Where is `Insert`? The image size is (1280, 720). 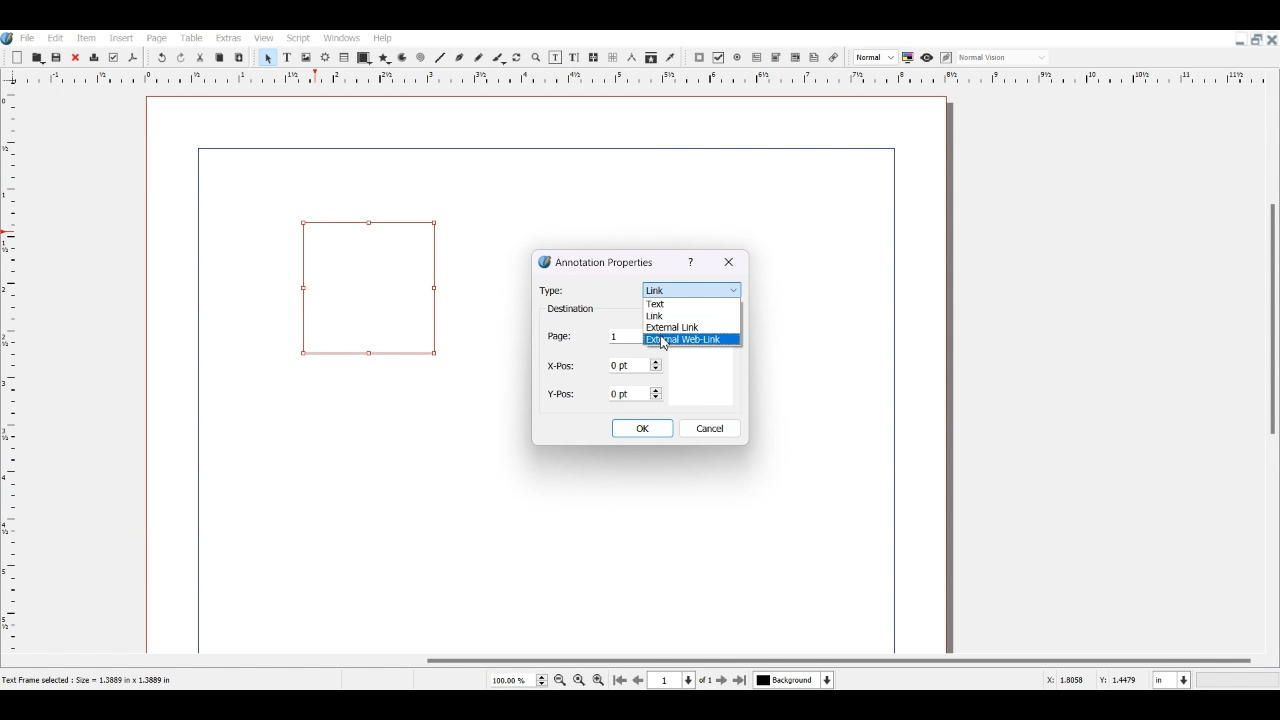 Insert is located at coordinates (120, 38).